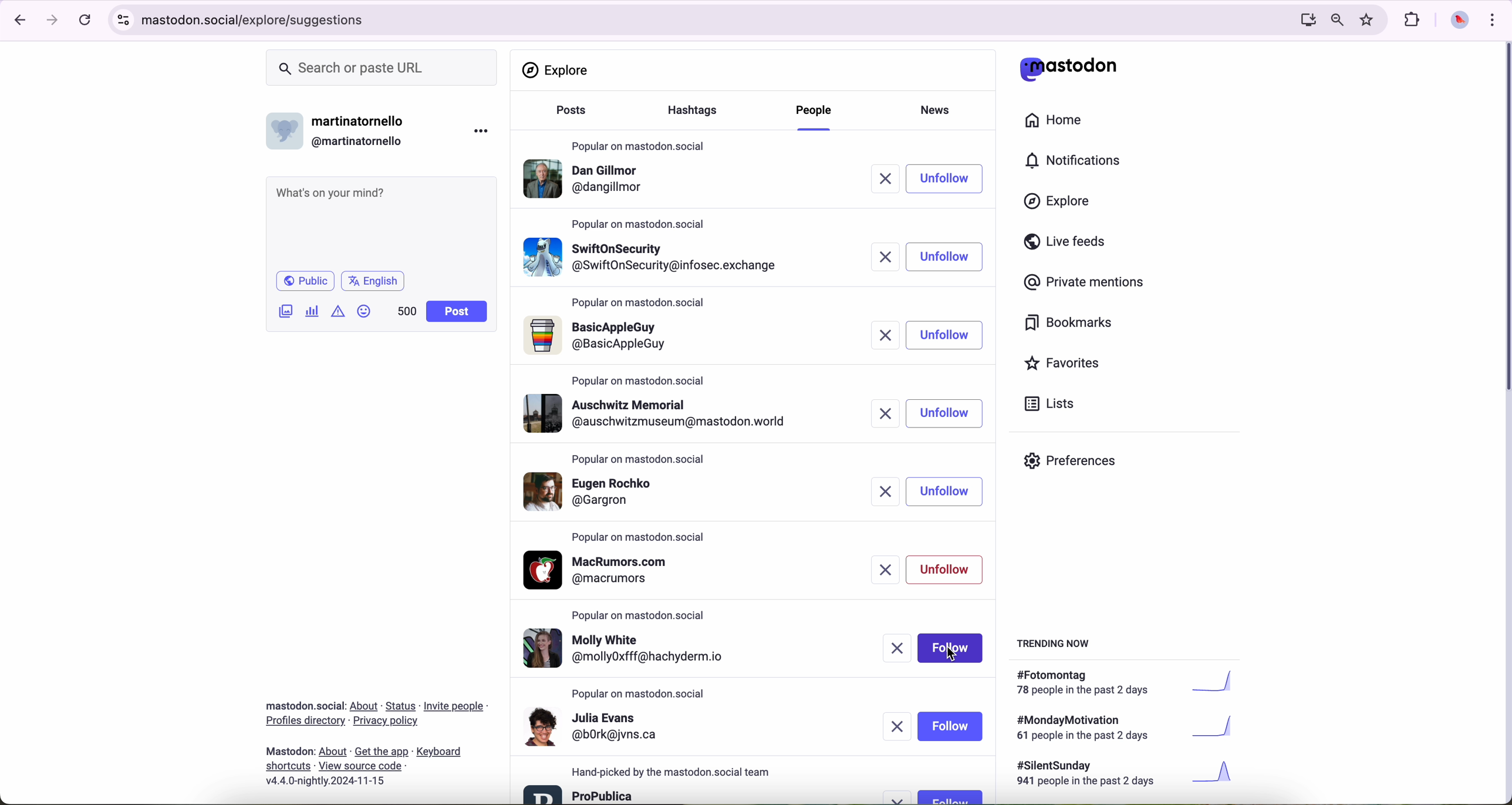 This screenshot has width=1512, height=805. Describe the element at coordinates (635, 649) in the screenshot. I see `profile` at that location.